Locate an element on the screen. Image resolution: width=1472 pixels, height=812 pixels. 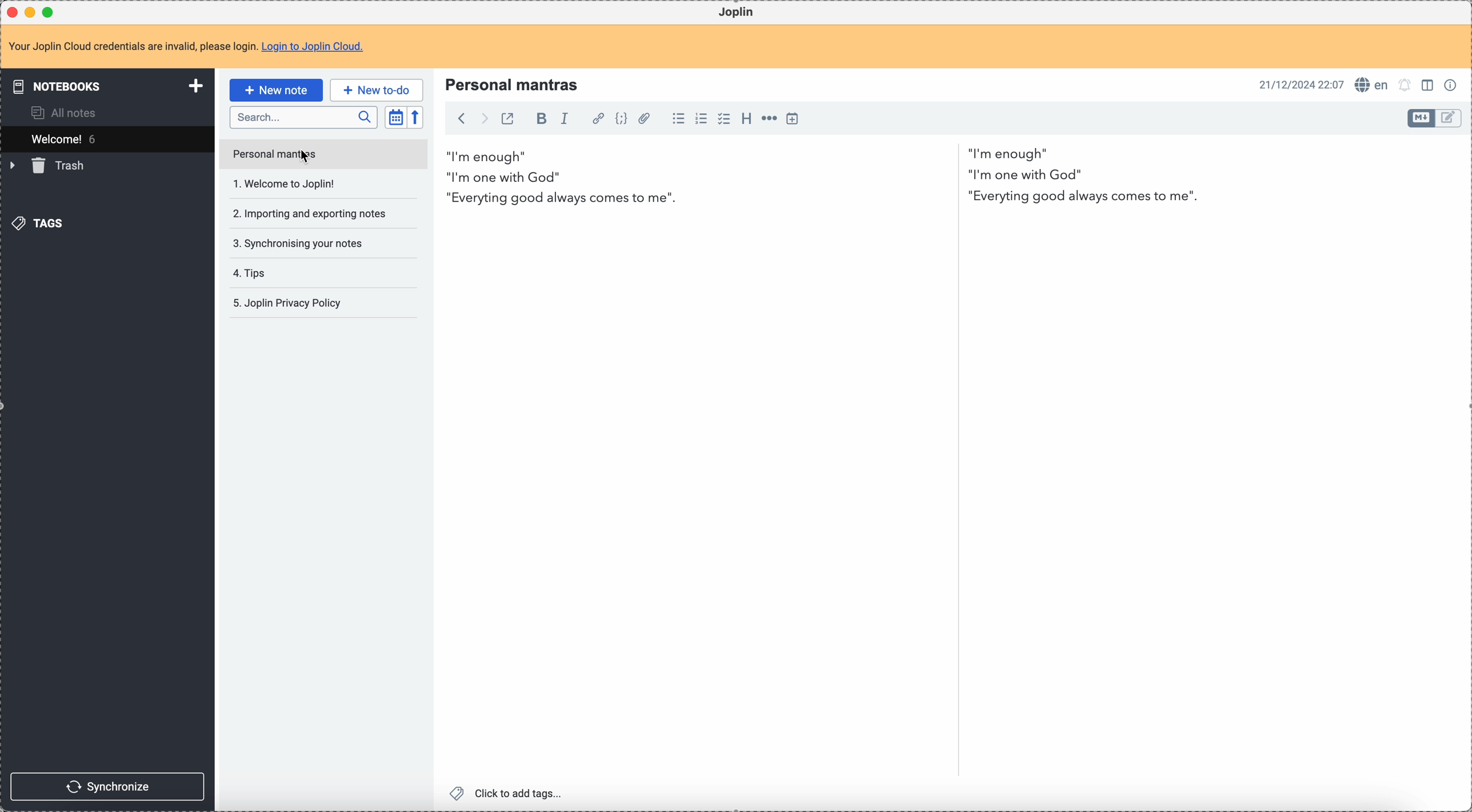
Joplin privacy policy is located at coordinates (289, 303).